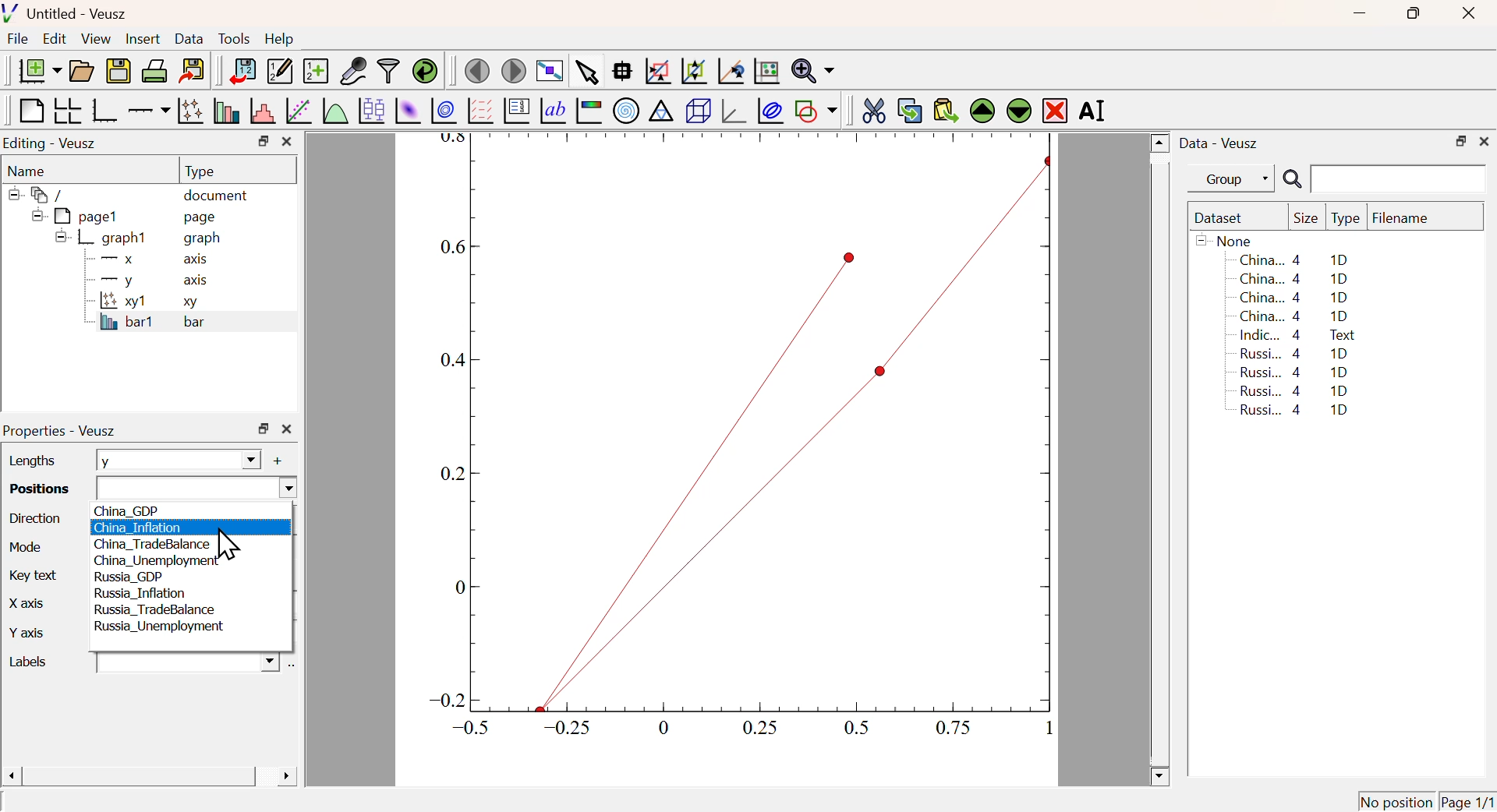 This screenshot has width=1497, height=812. Describe the element at coordinates (145, 302) in the screenshot. I see `xy1 xy` at that location.